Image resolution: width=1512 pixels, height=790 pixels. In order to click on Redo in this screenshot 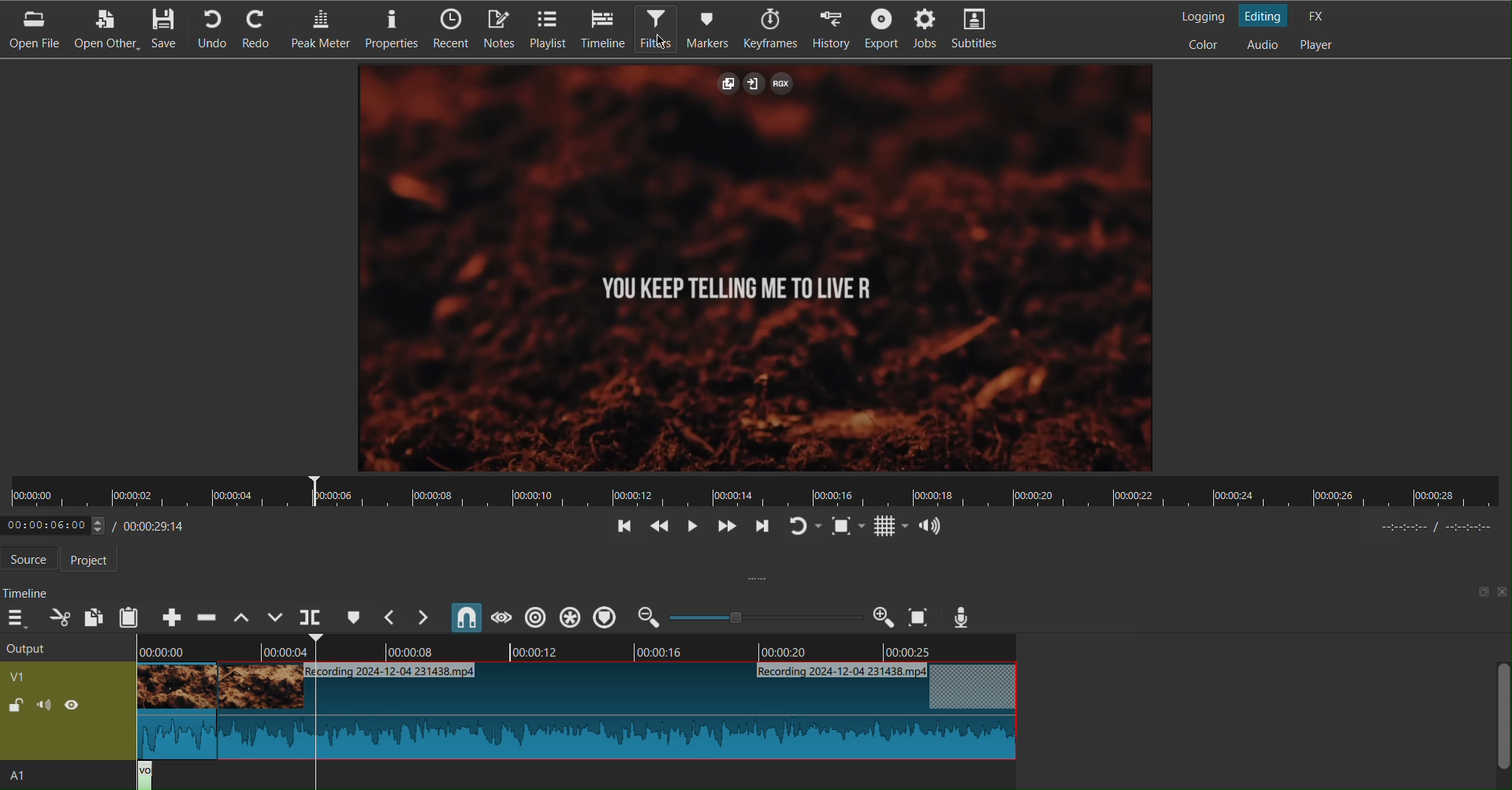, I will do `click(265, 29)`.